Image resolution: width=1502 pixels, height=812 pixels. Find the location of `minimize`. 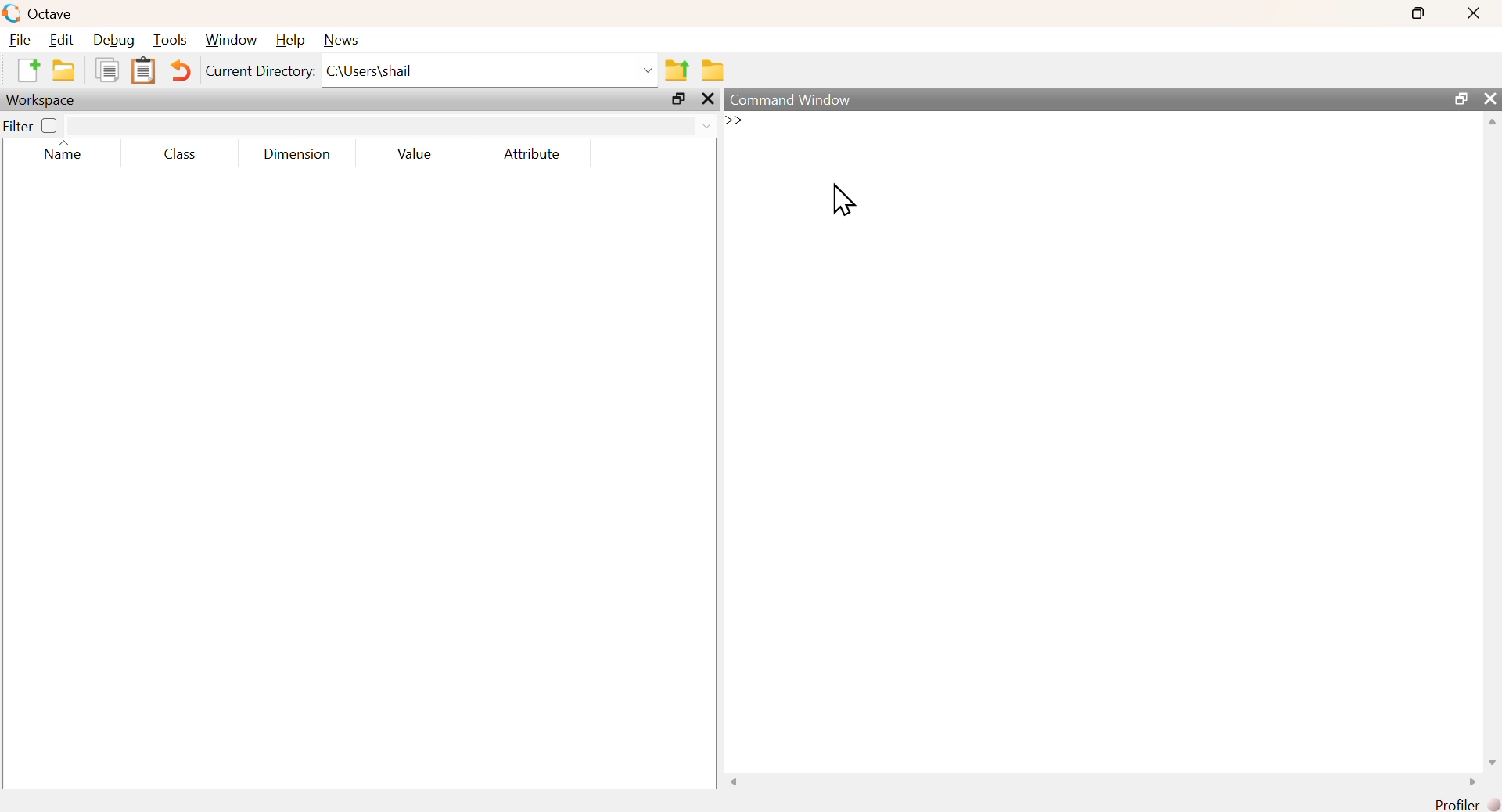

minimize is located at coordinates (1362, 15).